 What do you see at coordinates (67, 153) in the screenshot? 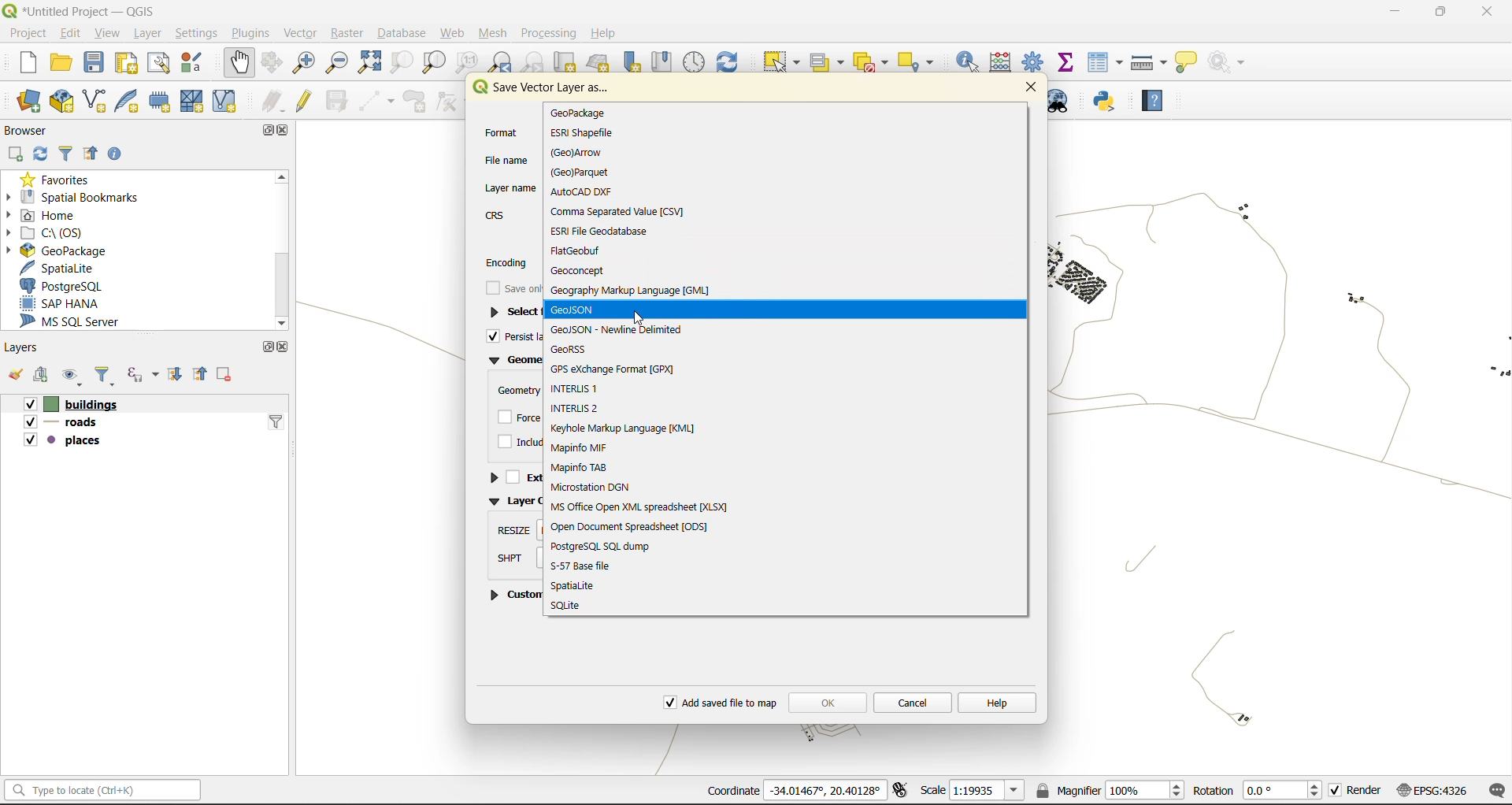
I see `filter` at bounding box center [67, 153].